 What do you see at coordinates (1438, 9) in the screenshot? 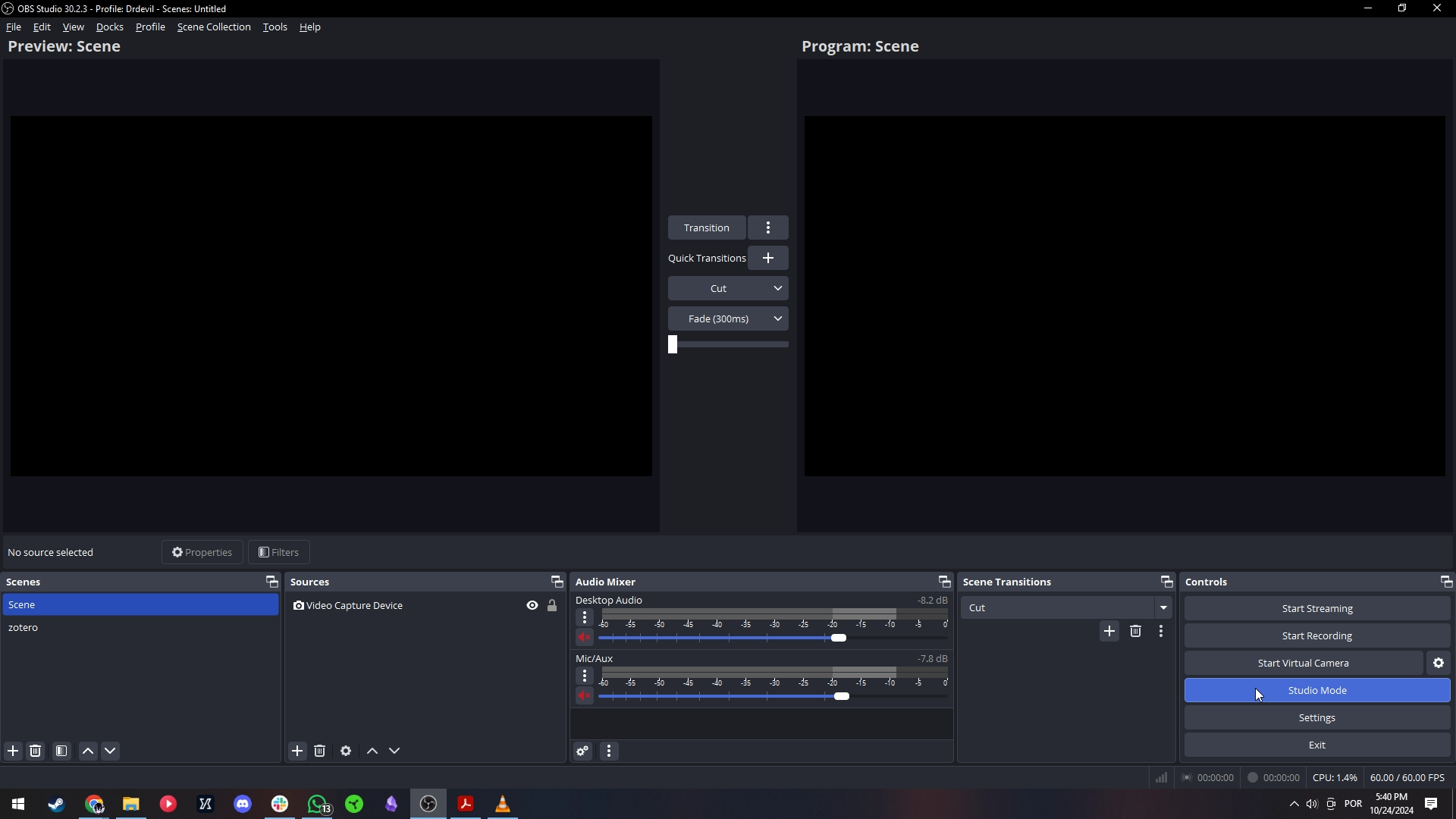
I see `Close` at bounding box center [1438, 9].